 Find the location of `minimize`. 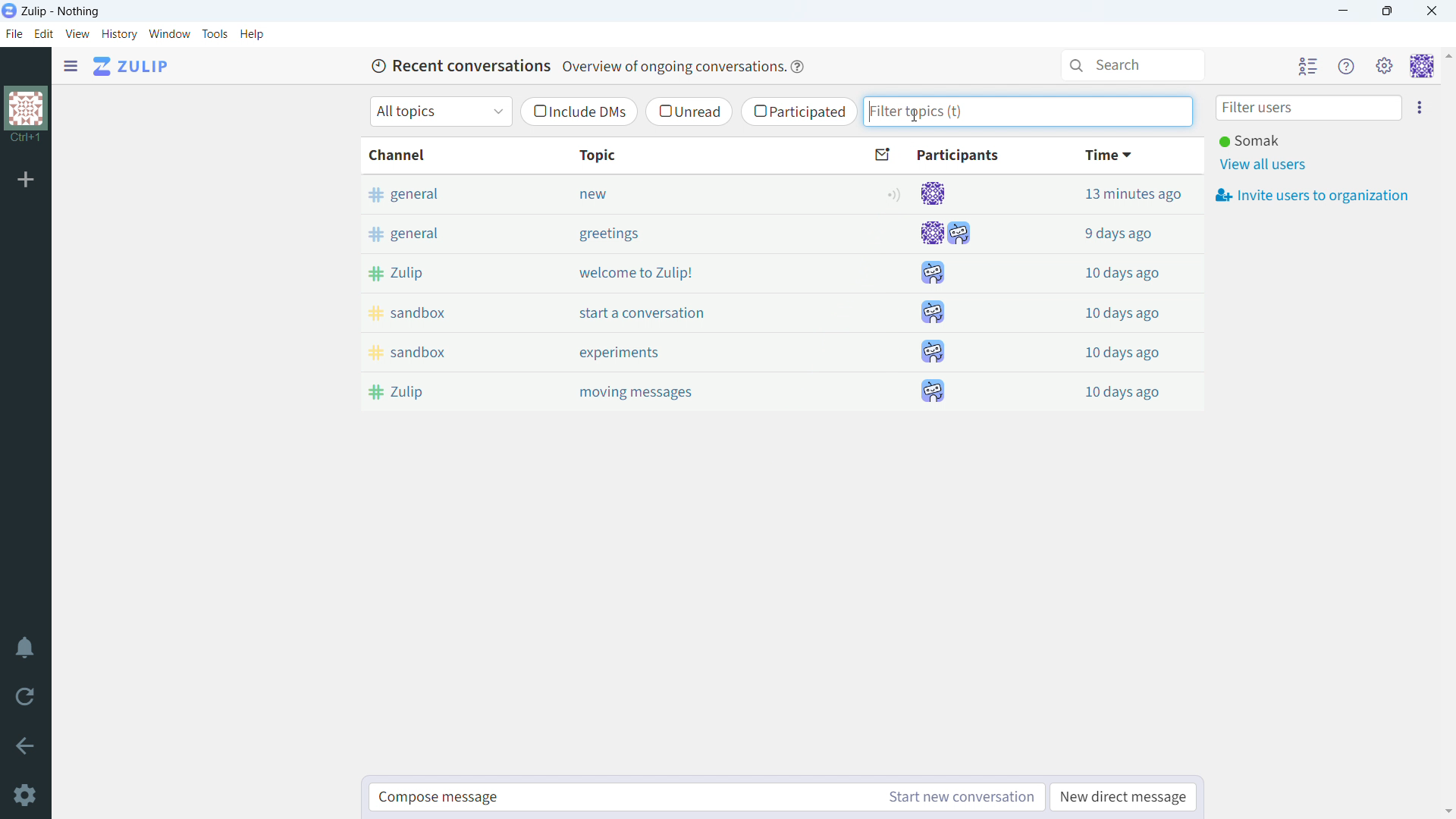

minimize is located at coordinates (1344, 11).